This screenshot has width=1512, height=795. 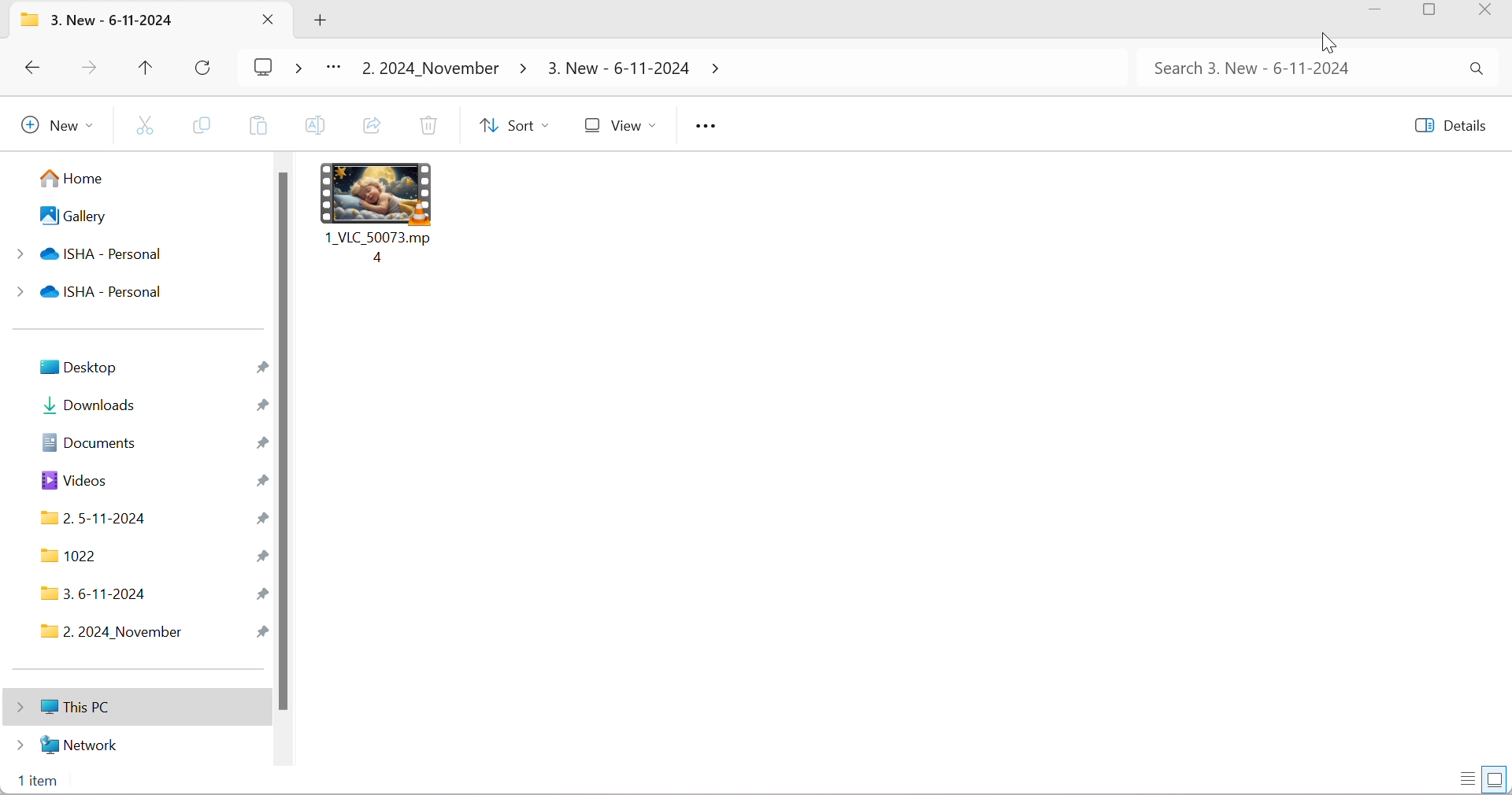 What do you see at coordinates (260, 446) in the screenshot?
I see `Pin` at bounding box center [260, 446].